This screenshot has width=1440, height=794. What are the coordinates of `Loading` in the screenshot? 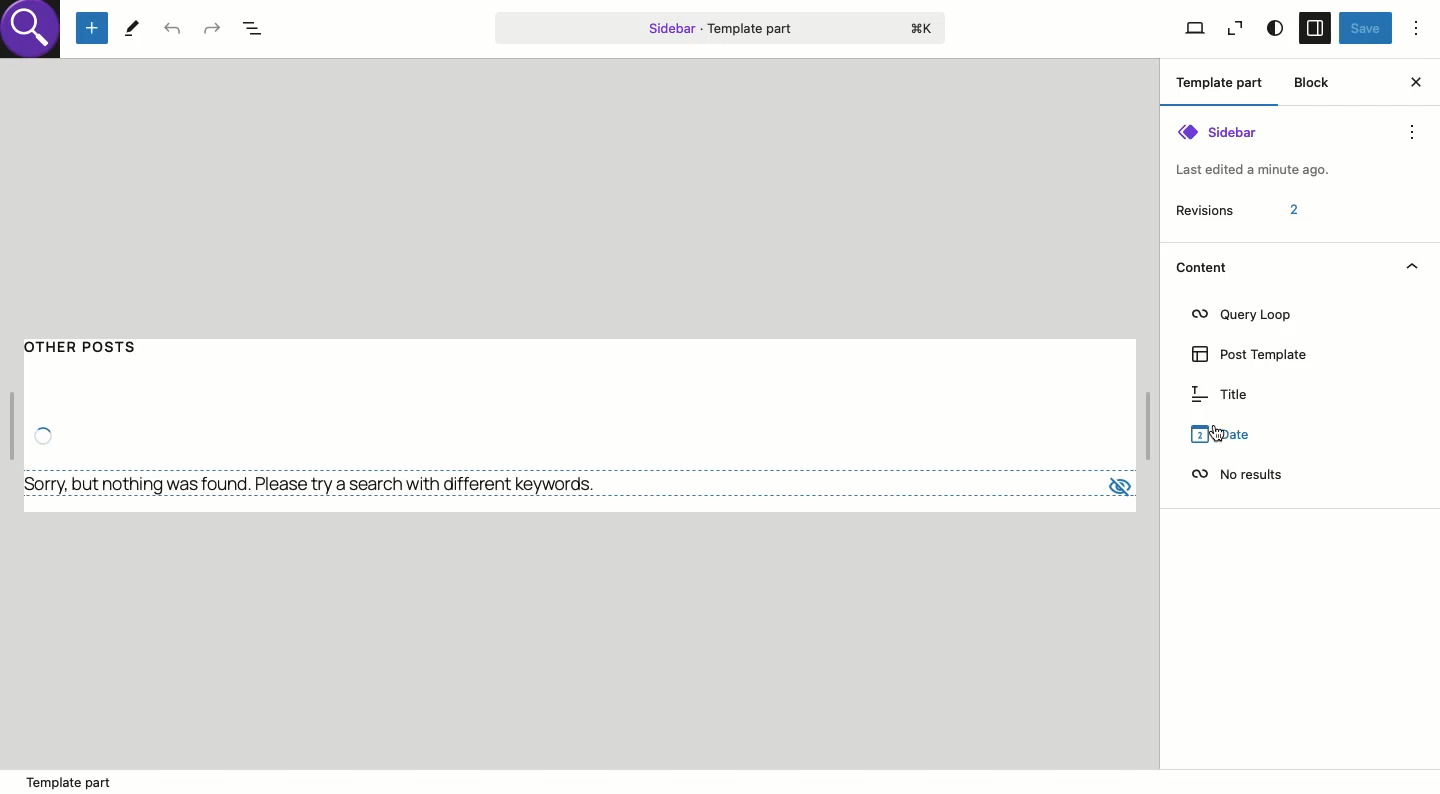 It's located at (43, 434).